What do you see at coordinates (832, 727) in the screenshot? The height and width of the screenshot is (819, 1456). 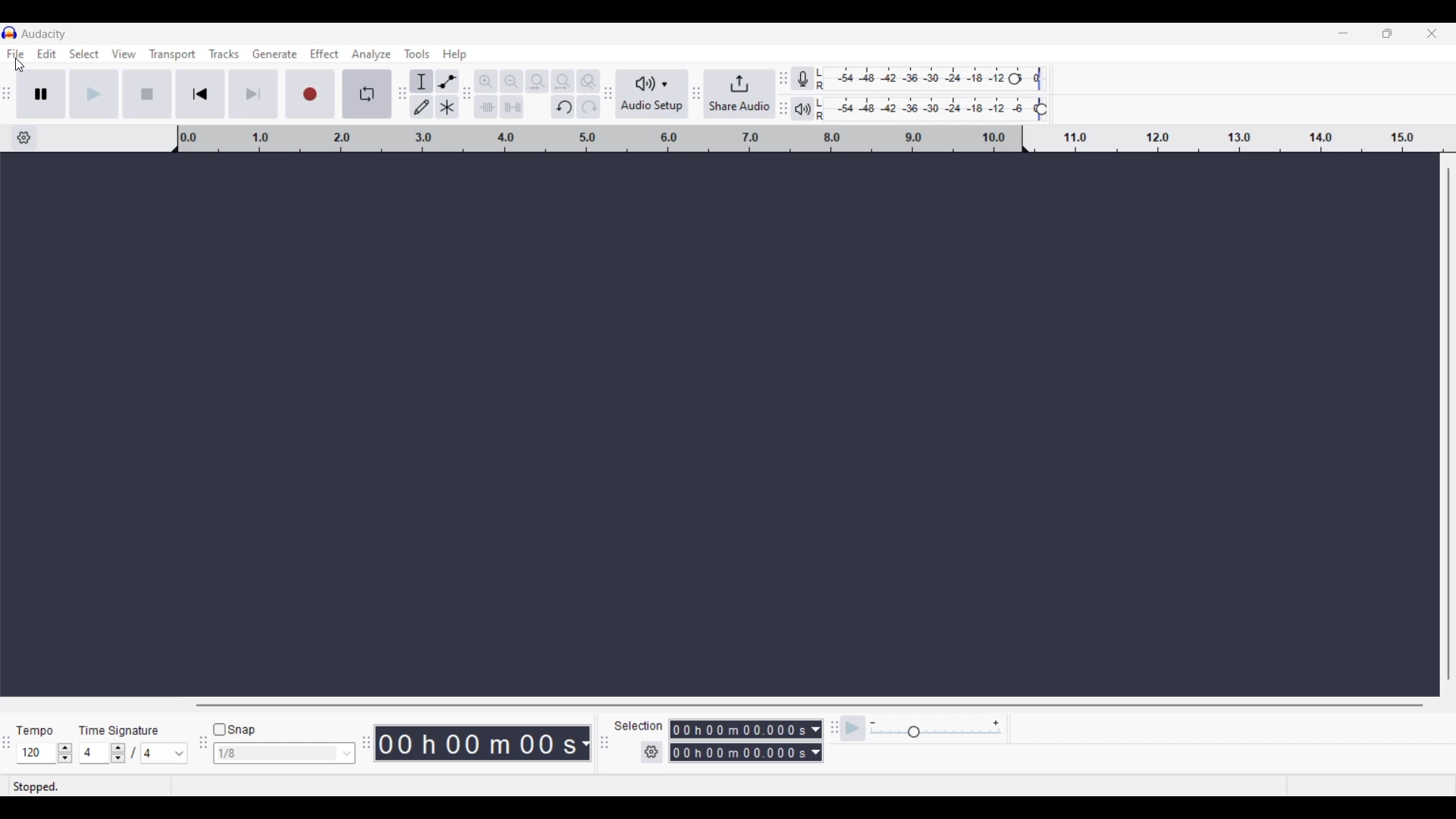 I see `signature time tool bar` at bounding box center [832, 727].